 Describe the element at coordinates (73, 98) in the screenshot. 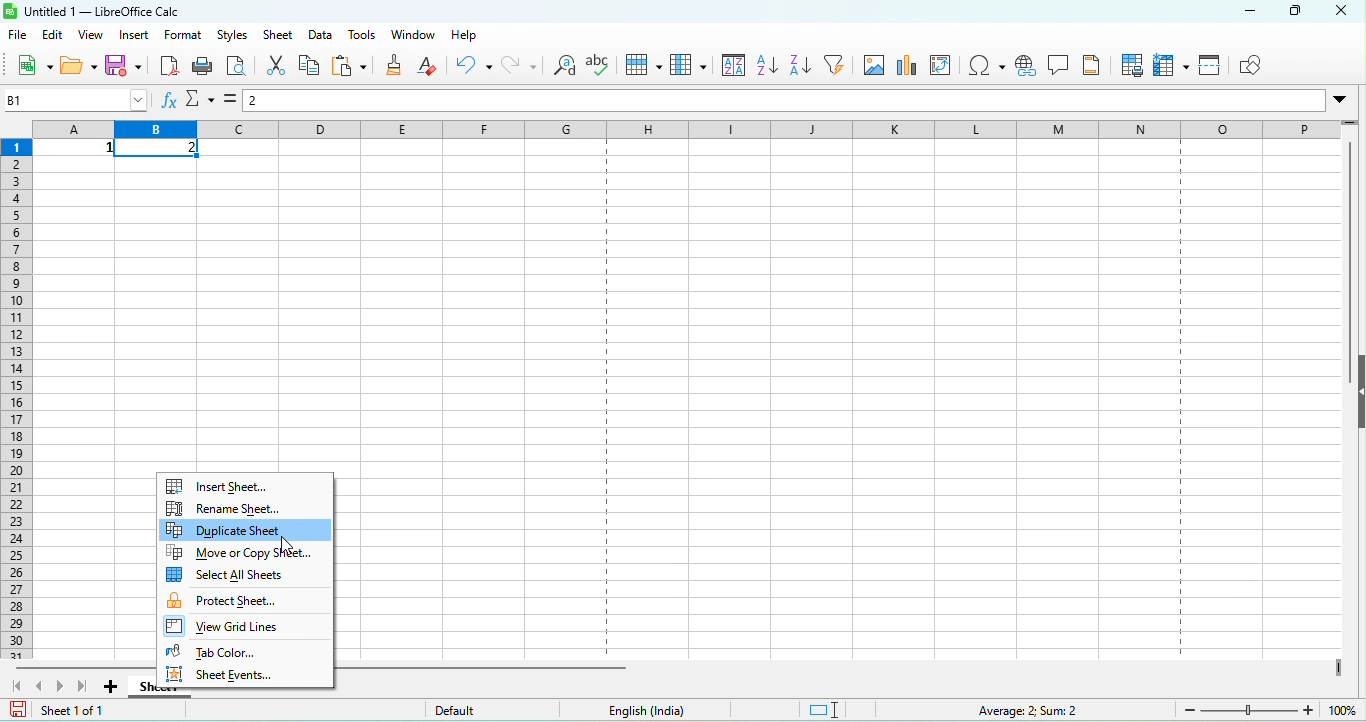

I see `name box` at that location.